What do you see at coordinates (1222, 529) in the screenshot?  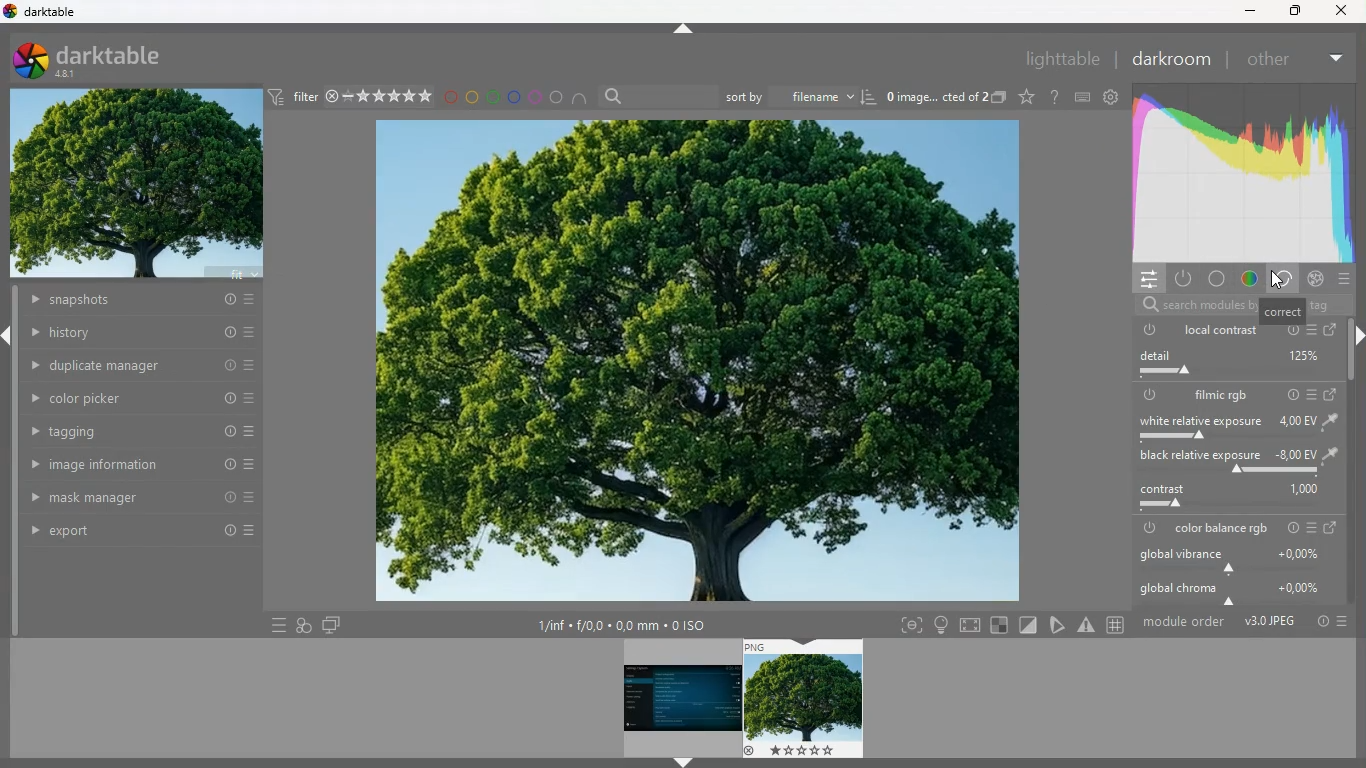 I see `color balance rgb` at bounding box center [1222, 529].